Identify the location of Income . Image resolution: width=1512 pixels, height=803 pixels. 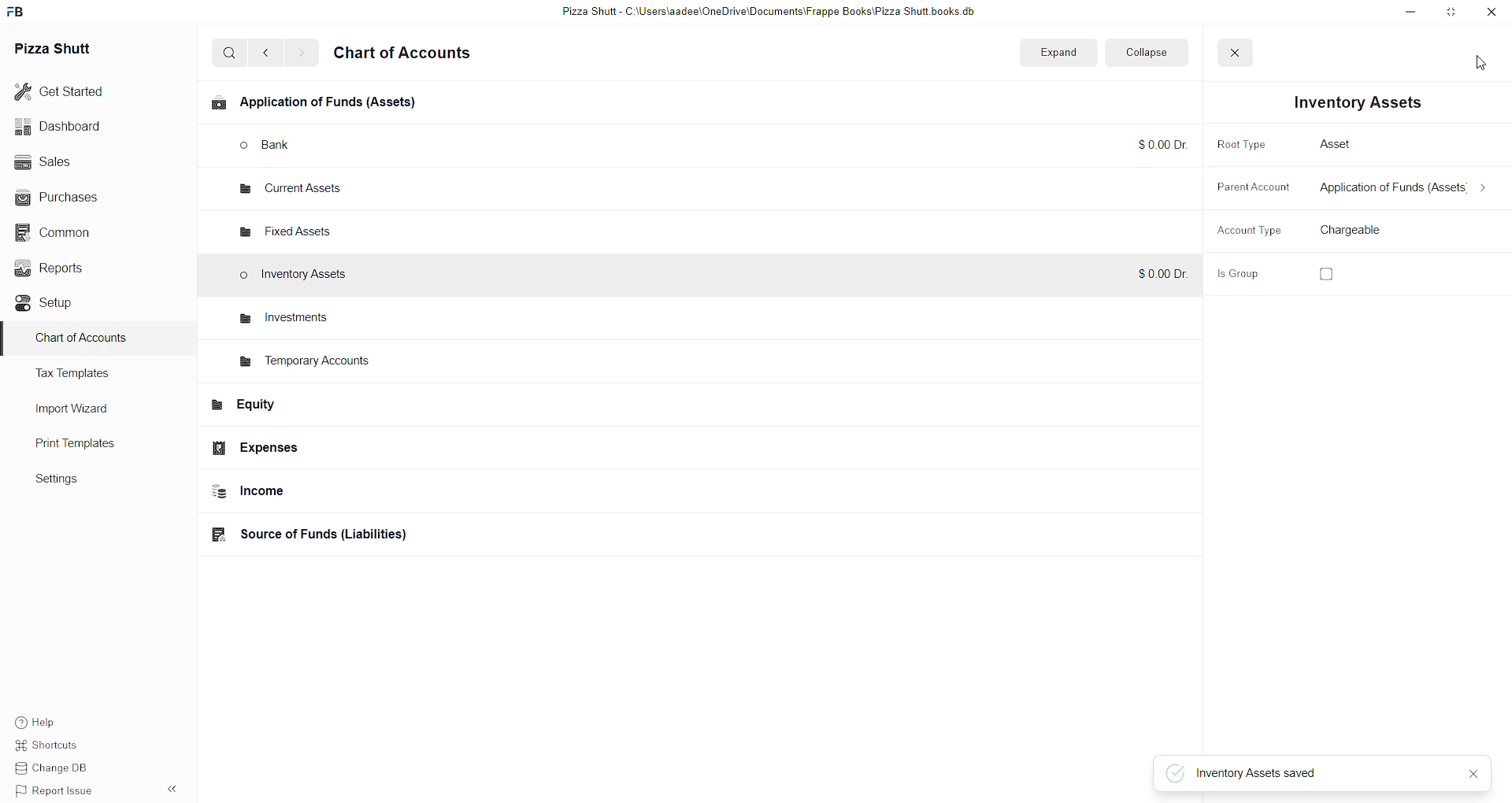
(332, 494).